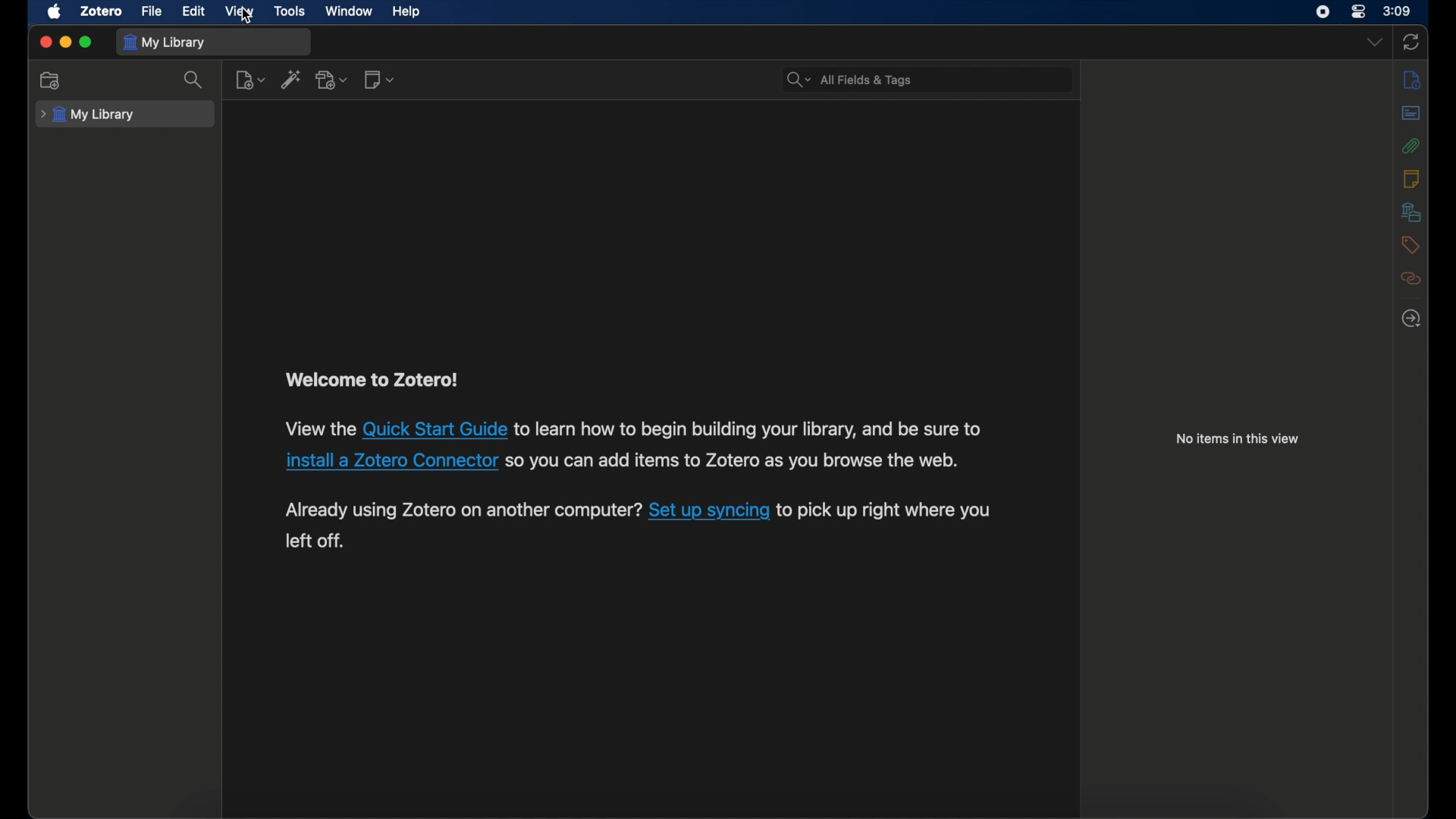 Image resolution: width=1456 pixels, height=819 pixels. Describe the element at coordinates (193, 11) in the screenshot. I see `edit` at that location.